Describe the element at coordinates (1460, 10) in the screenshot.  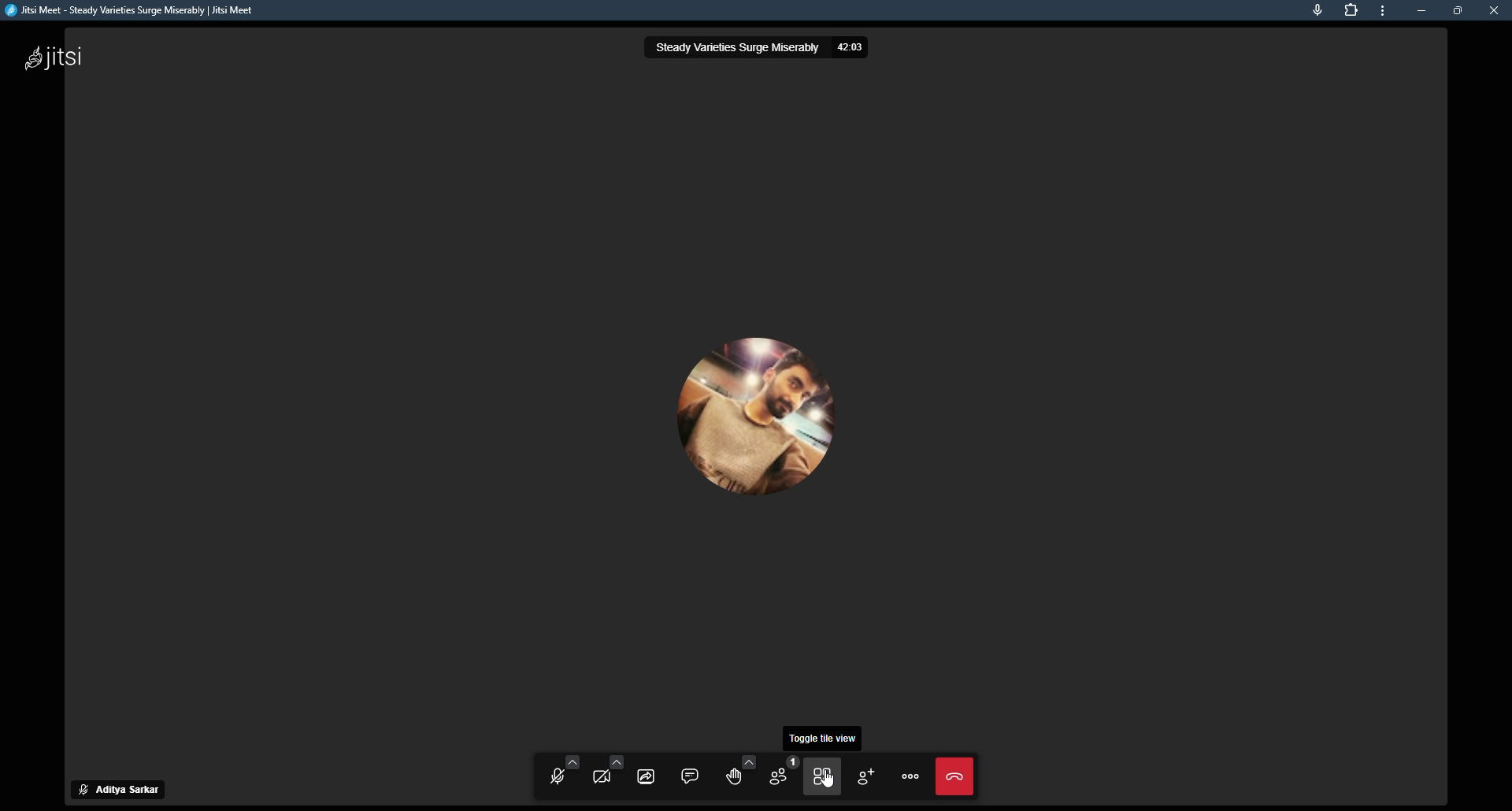
I see `maximize` at that location.